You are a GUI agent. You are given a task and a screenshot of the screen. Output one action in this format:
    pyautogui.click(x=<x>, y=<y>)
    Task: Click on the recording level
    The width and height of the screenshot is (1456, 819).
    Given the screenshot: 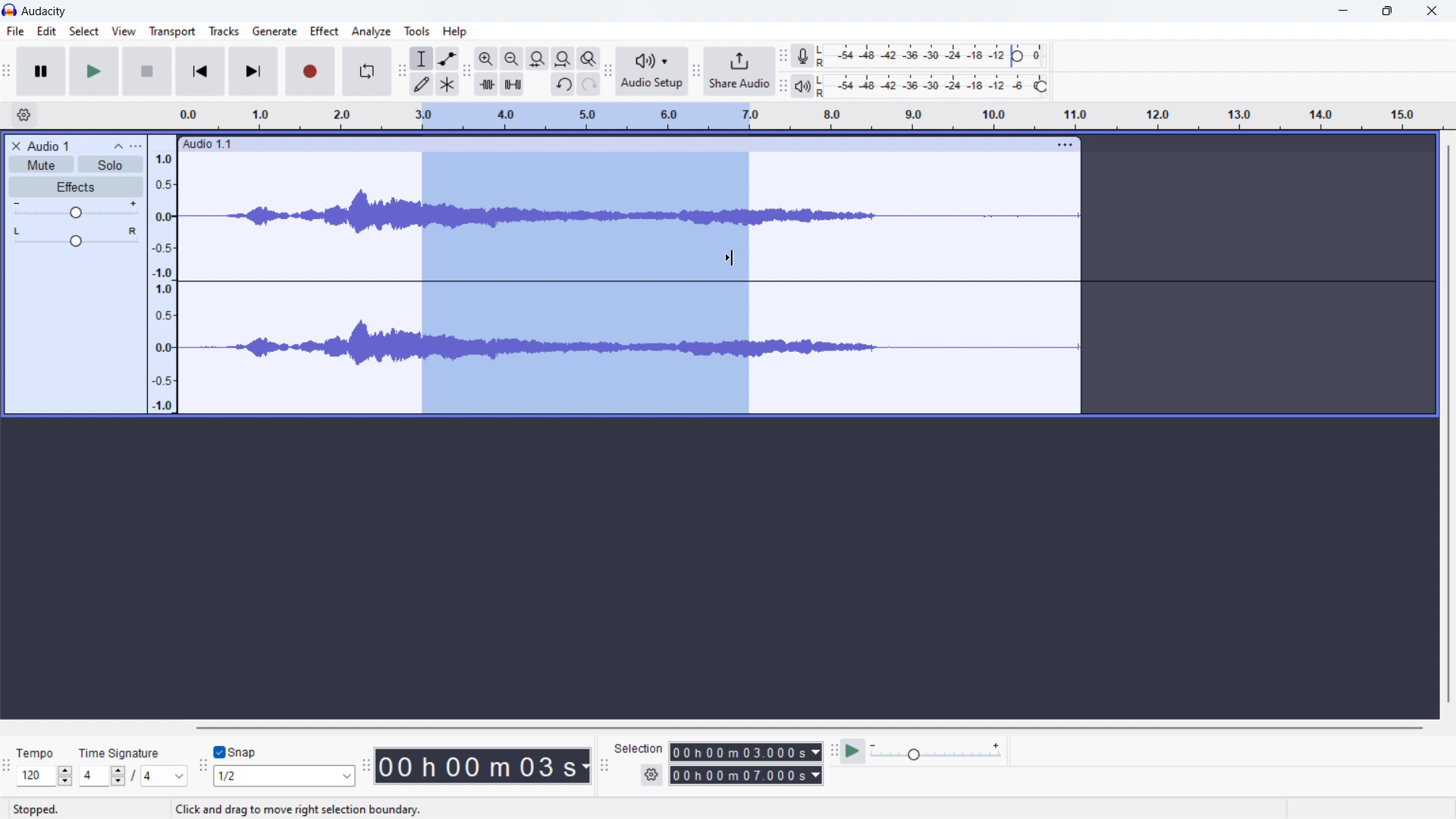 What is the action you would take?
    pyautogui.click(x=934, y=57)
    